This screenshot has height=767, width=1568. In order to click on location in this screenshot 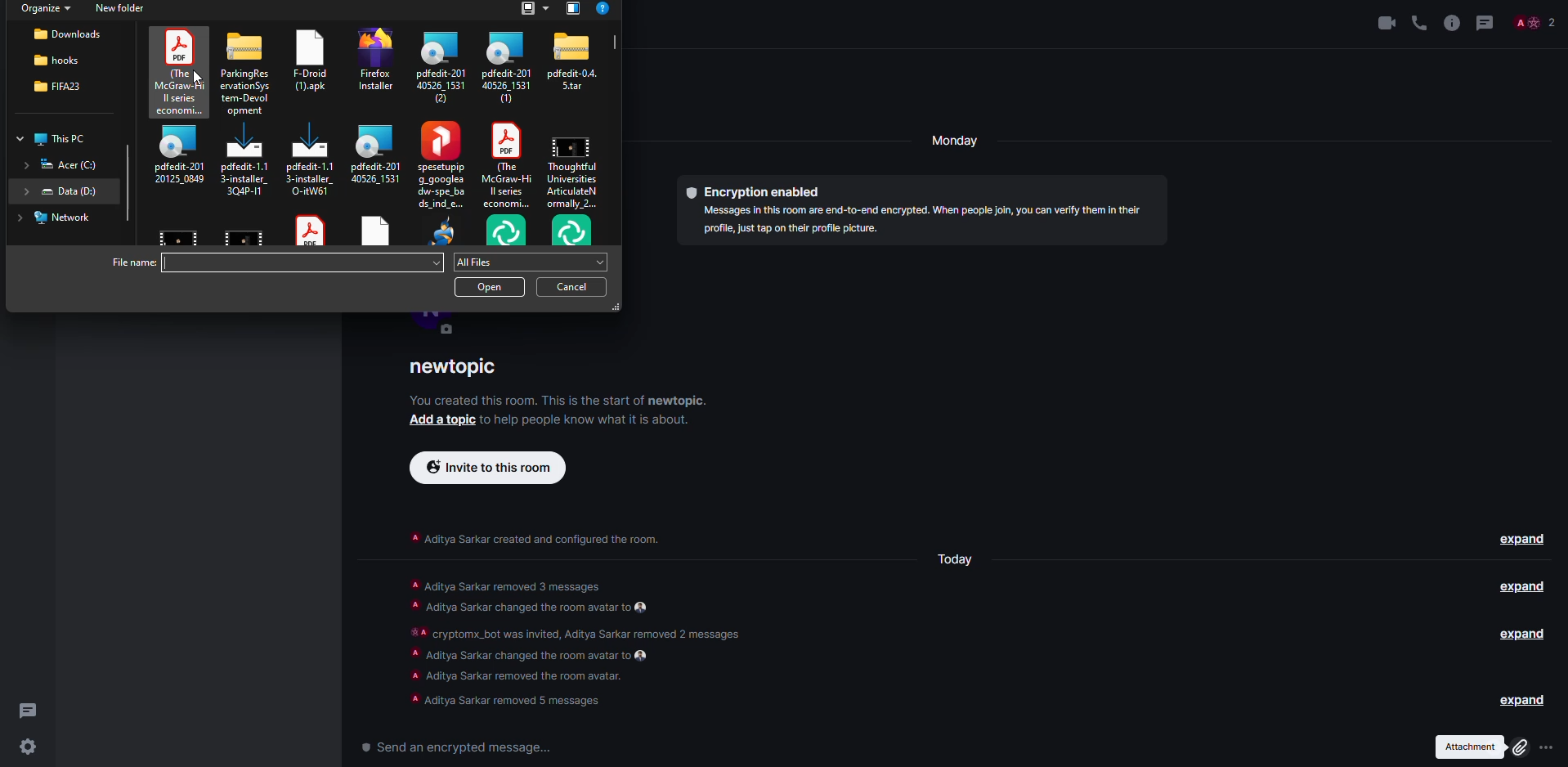, I will do `click(57, 140)`.